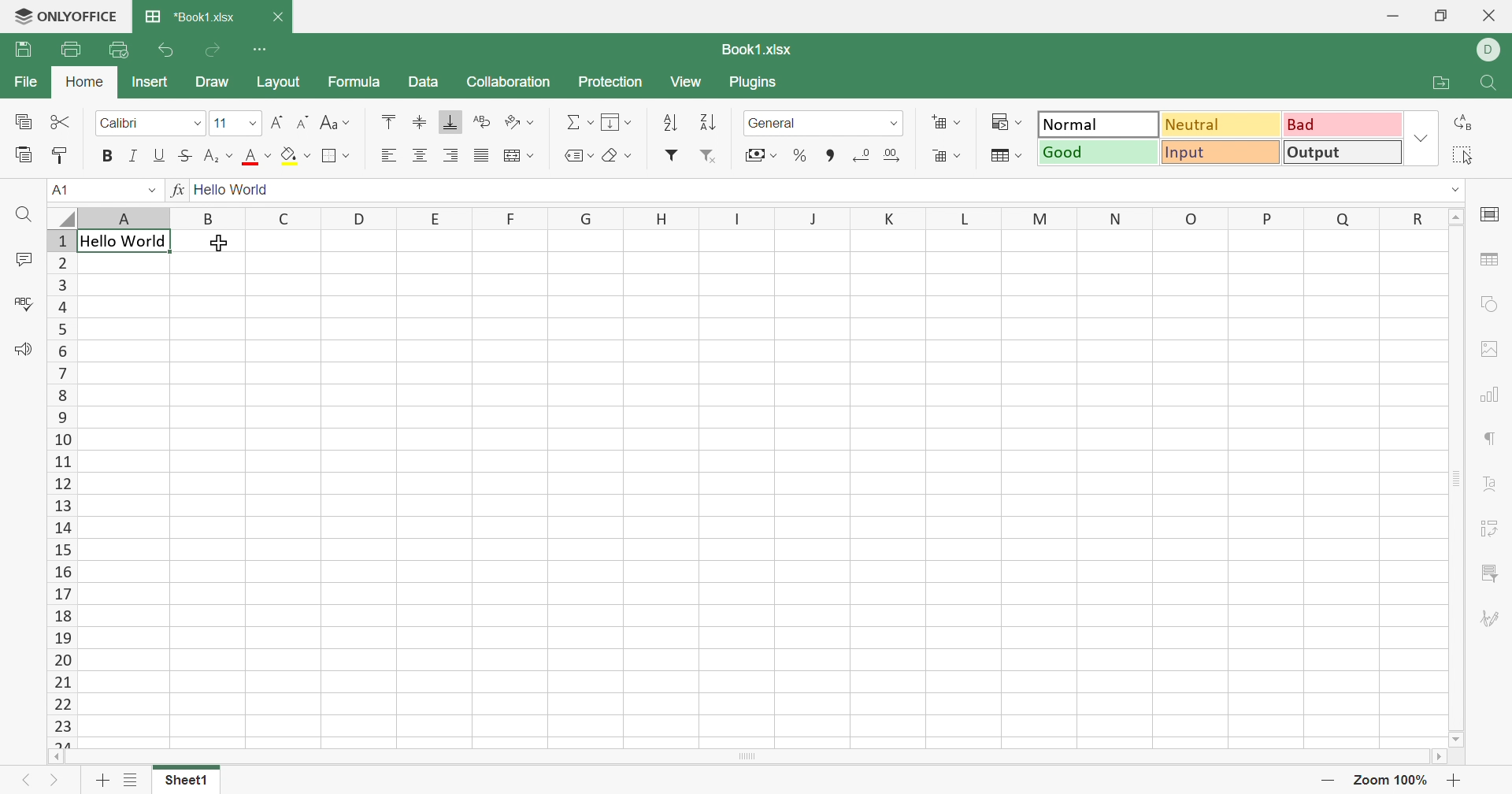  I want to click on Sort ascending, so click(671, 123).